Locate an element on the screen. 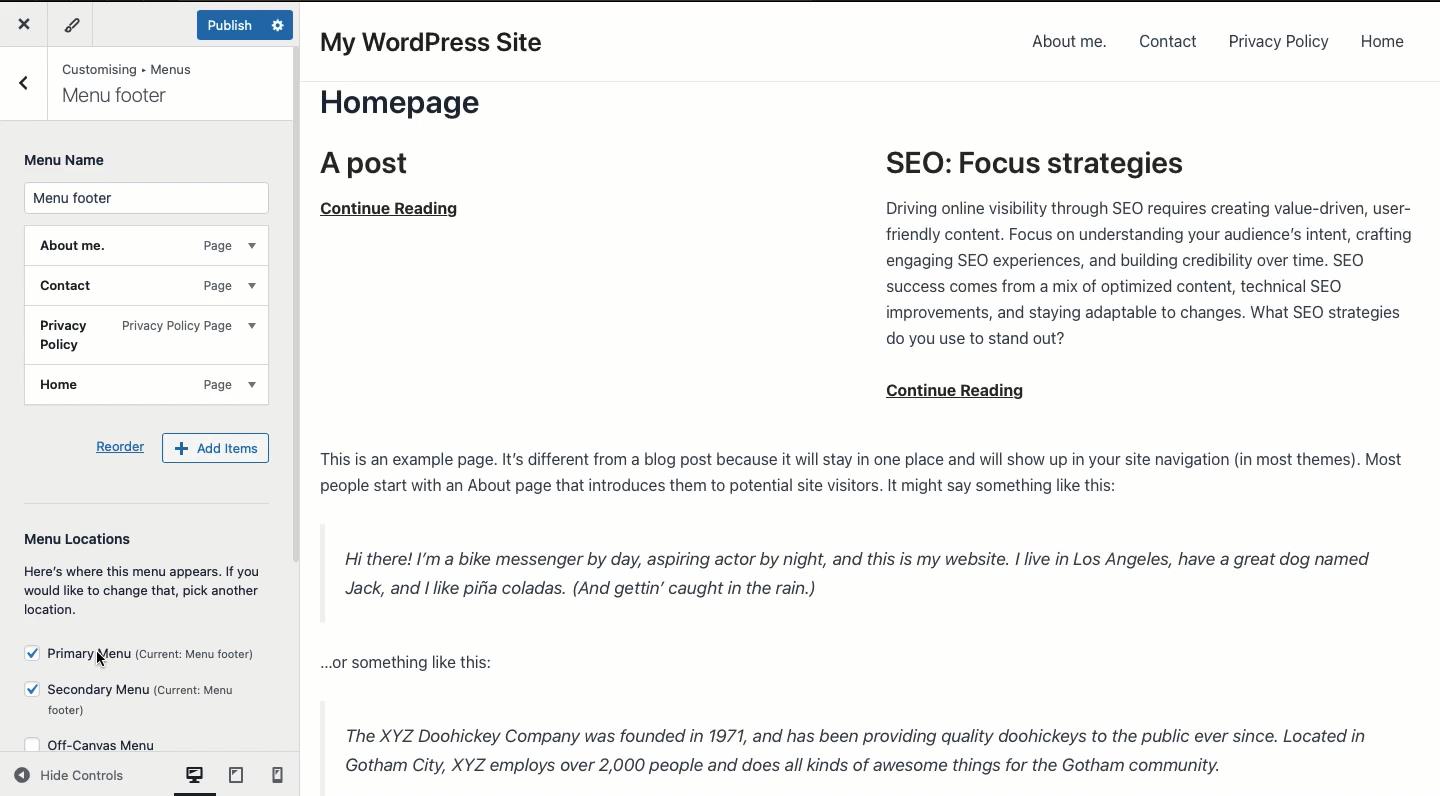 The width and height of the screenshot is (1440, 796). Menu locations is located at coordinates (141, 572).